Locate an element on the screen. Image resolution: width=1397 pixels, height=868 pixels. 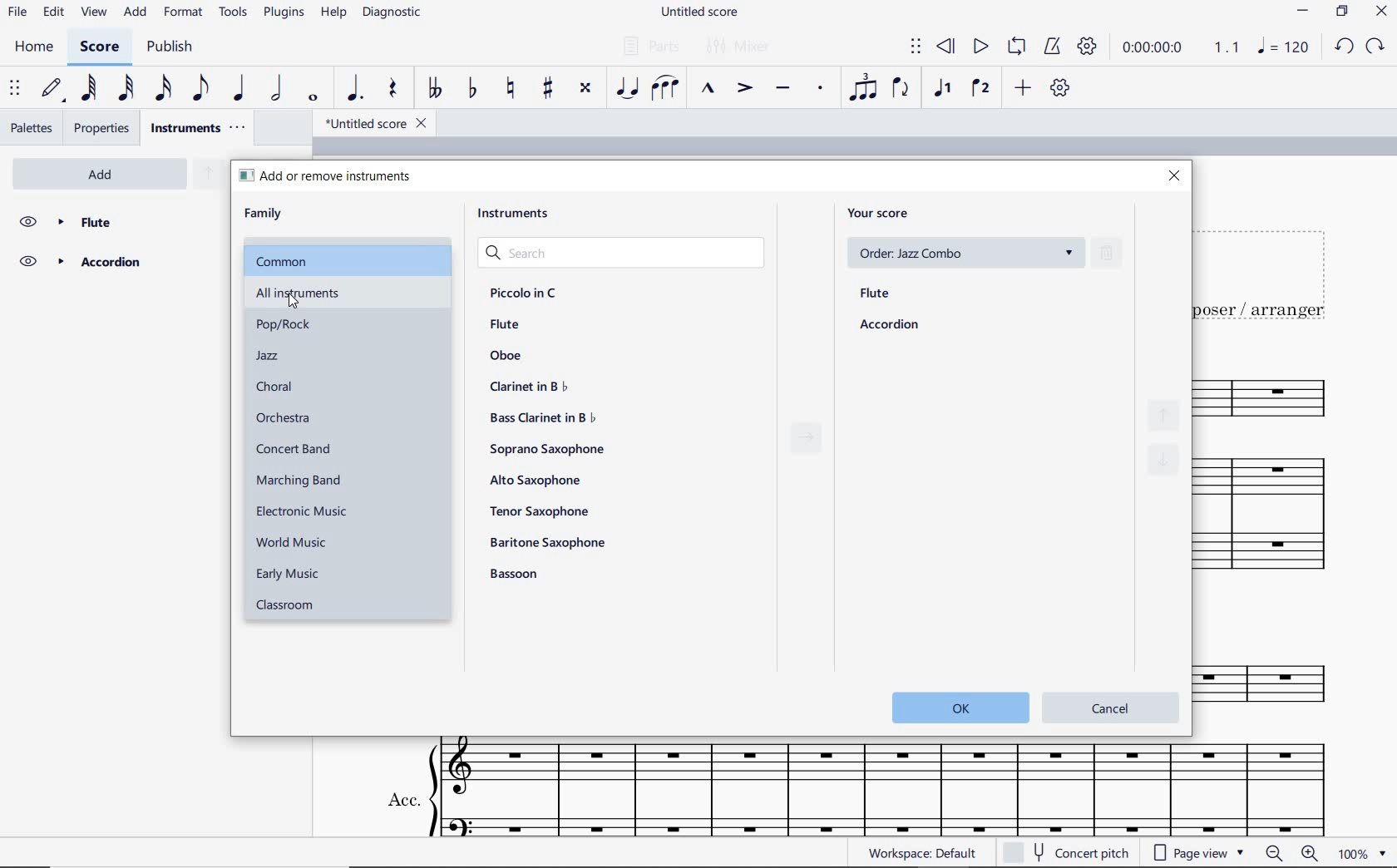
tuplet is located at coordinates (864, 88).